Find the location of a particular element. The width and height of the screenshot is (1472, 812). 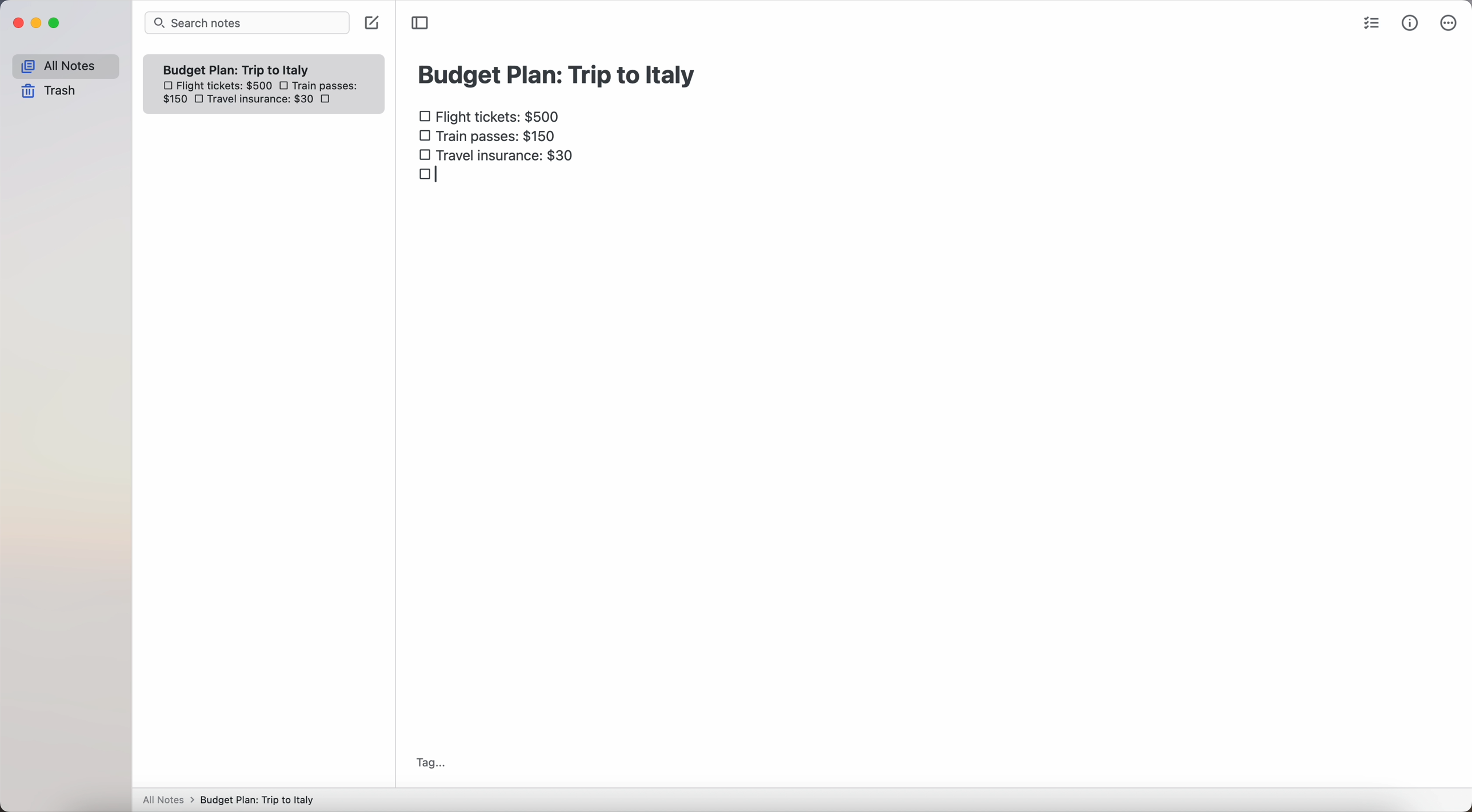

checkbox is located at coordinates (429, 176).